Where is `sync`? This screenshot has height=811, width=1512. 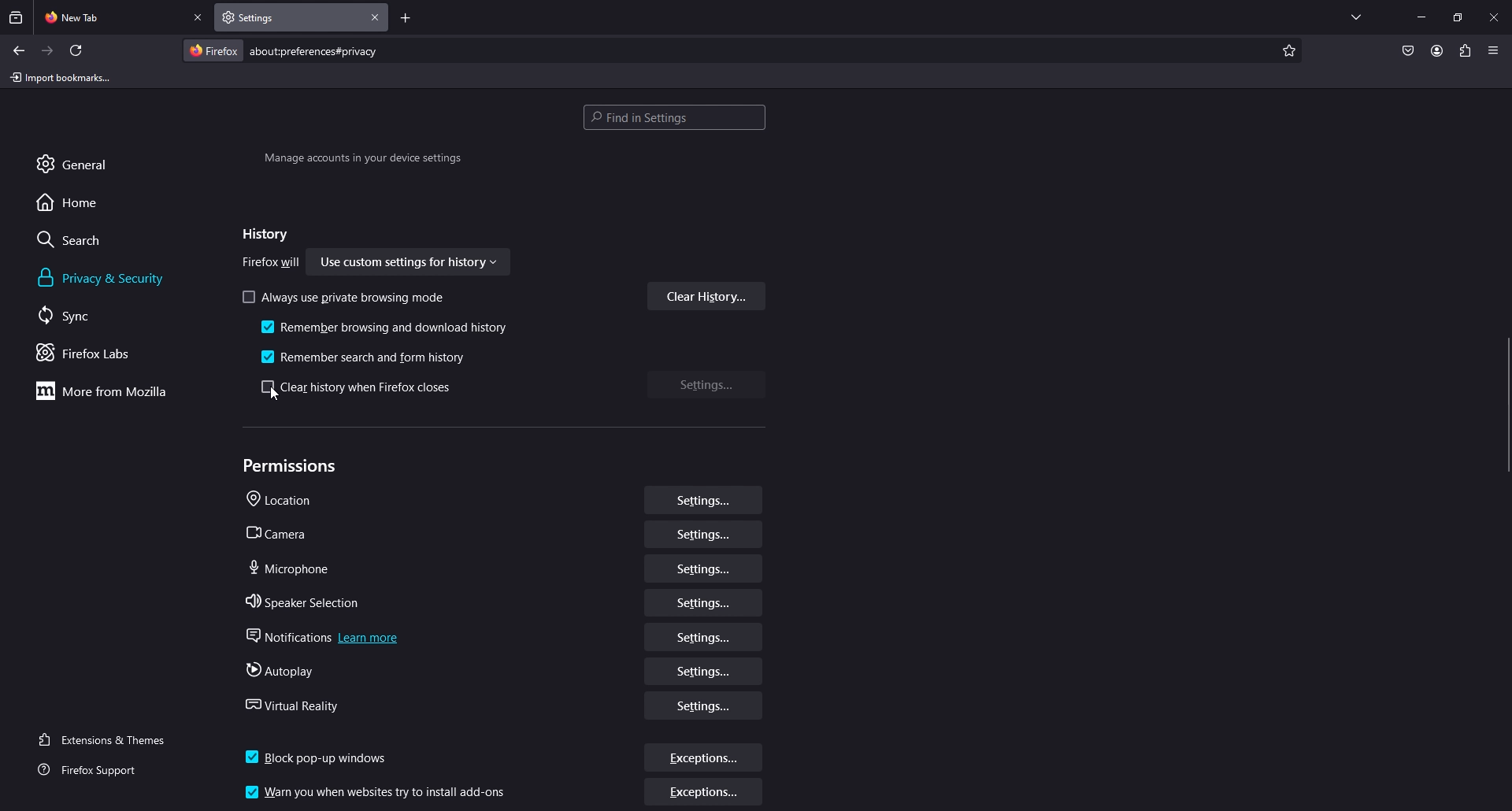
sync is located at coordinates (82, 315).